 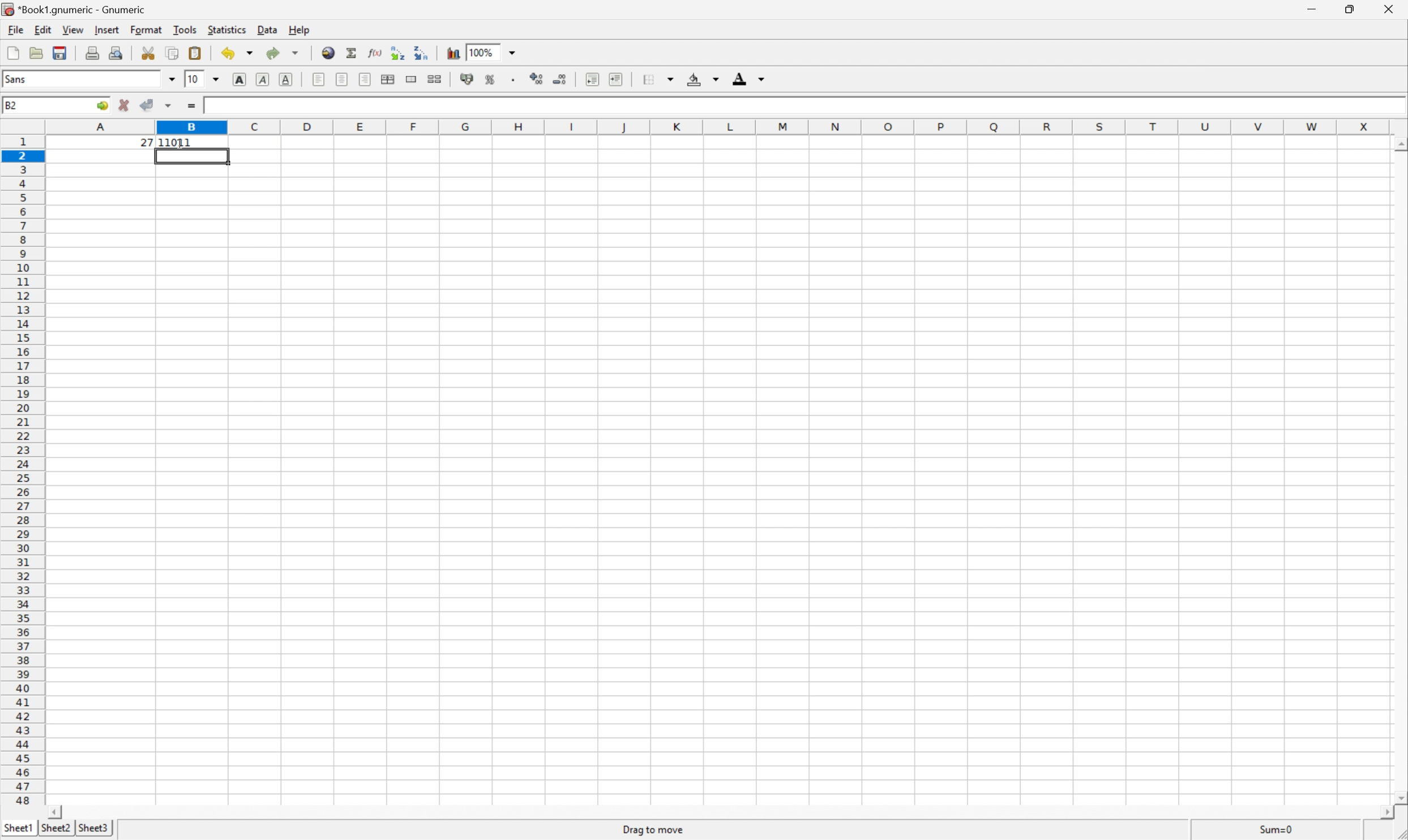 I want to click on Foreground, so click(x=748, y=77).